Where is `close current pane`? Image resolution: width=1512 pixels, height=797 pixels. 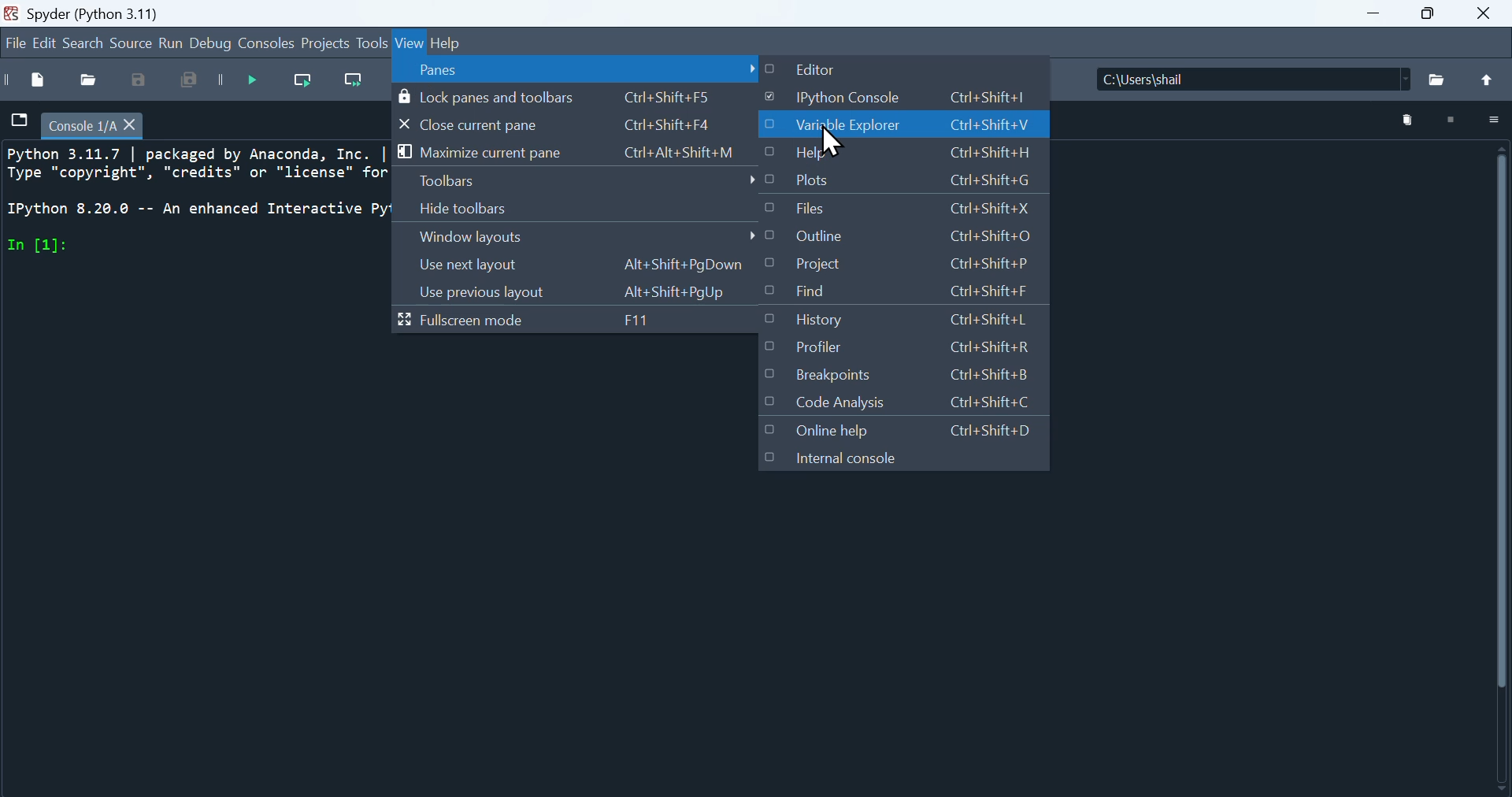
close current pane is located at coordinates (575, 123).